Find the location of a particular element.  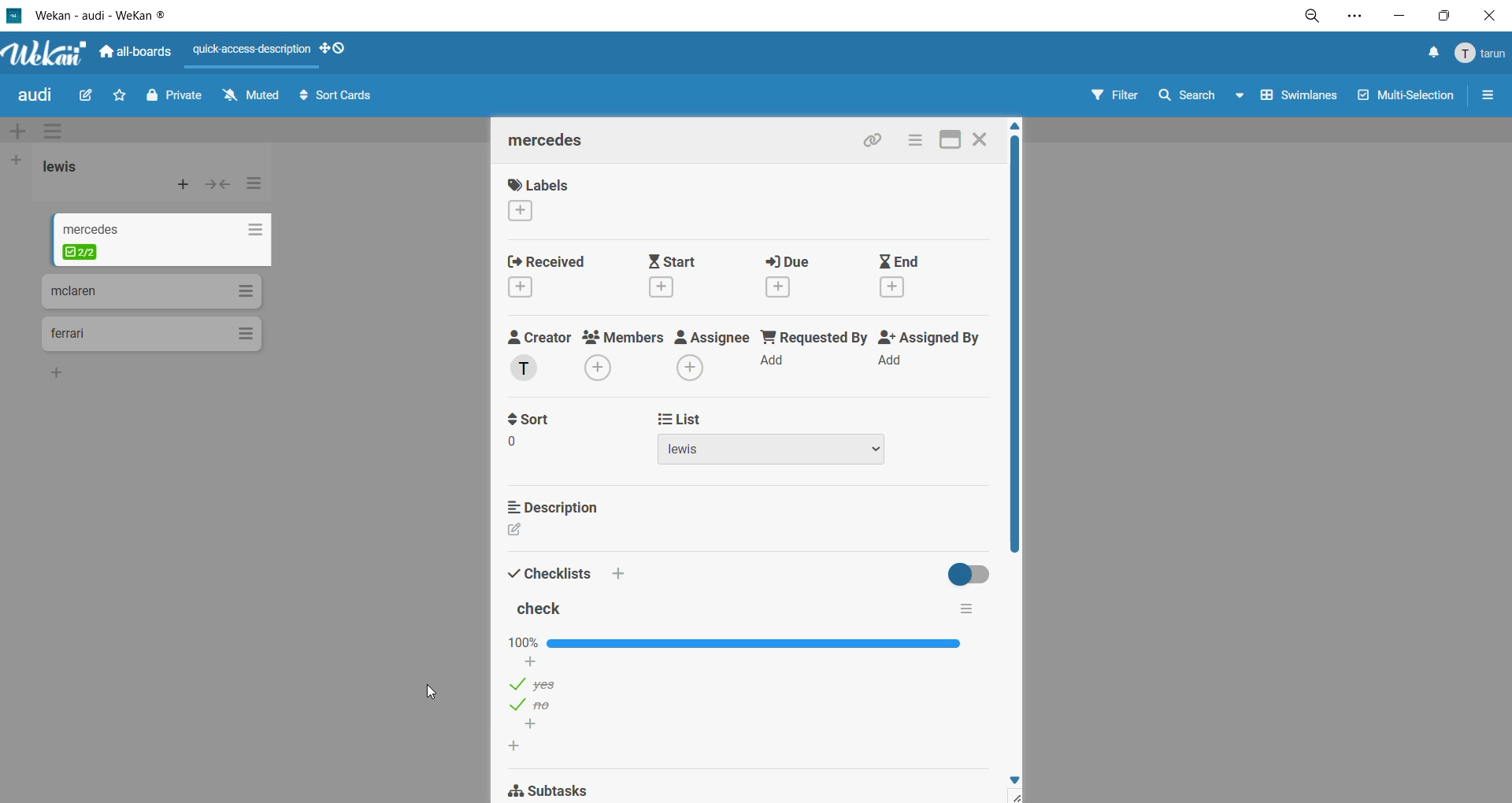

card title is located at coordinates (557, 144).